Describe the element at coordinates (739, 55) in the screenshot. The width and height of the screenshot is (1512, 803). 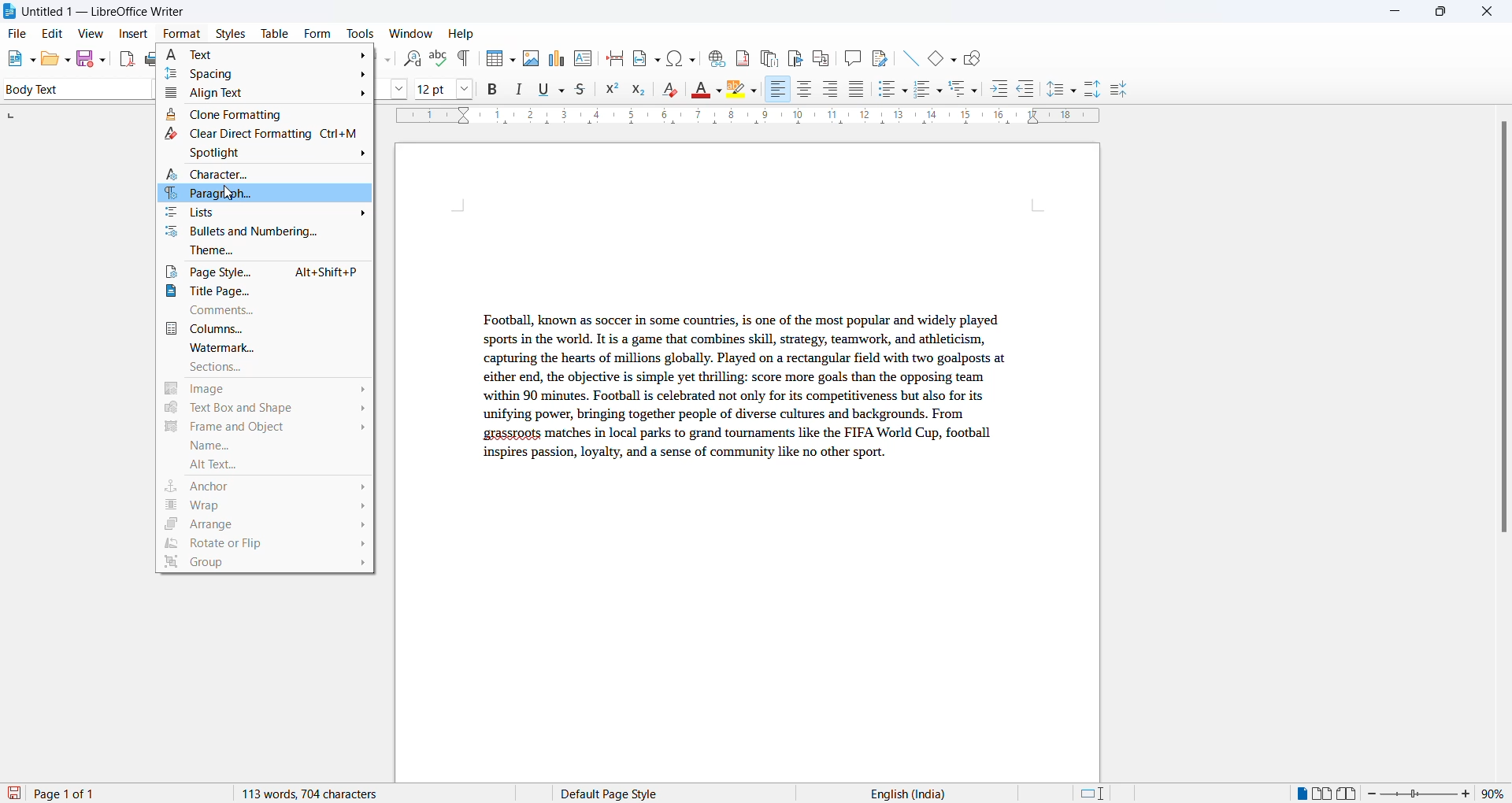
I see `insert footnote` at that location.